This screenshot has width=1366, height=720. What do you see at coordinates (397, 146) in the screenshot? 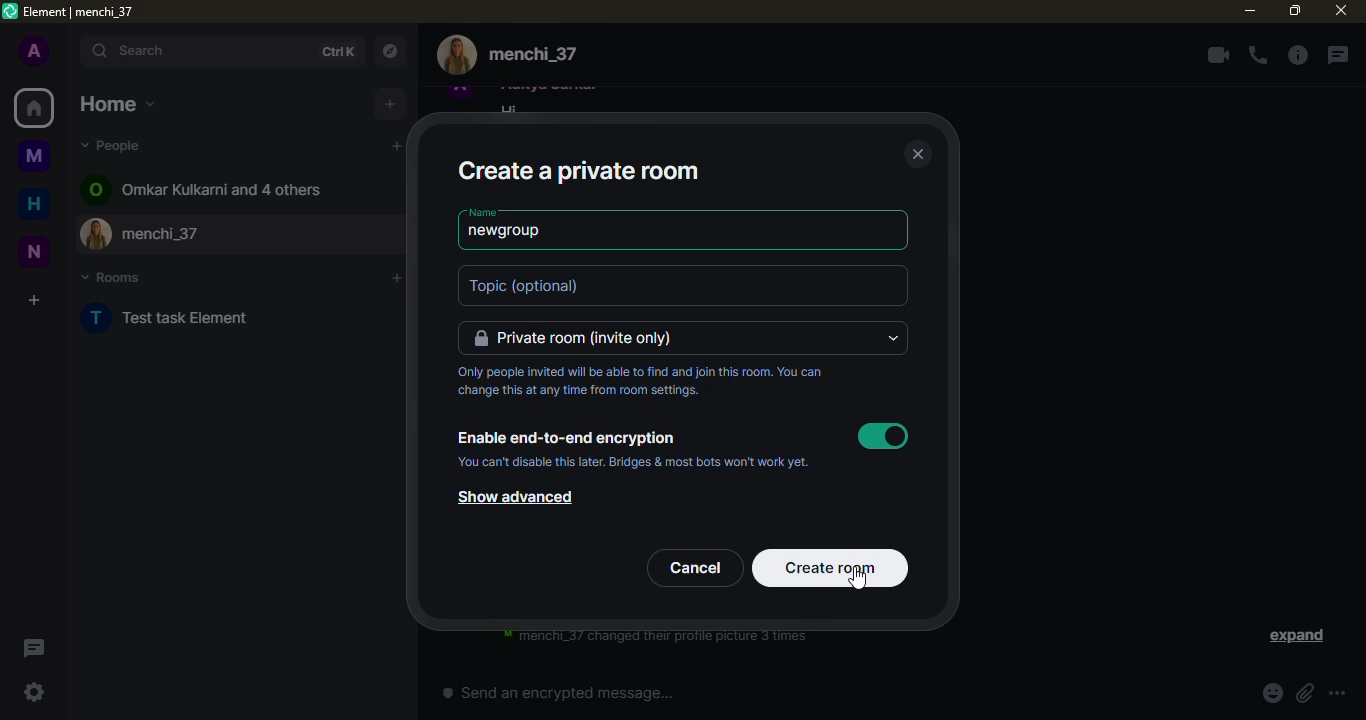
I see `add` at bounding box center [397, 146].